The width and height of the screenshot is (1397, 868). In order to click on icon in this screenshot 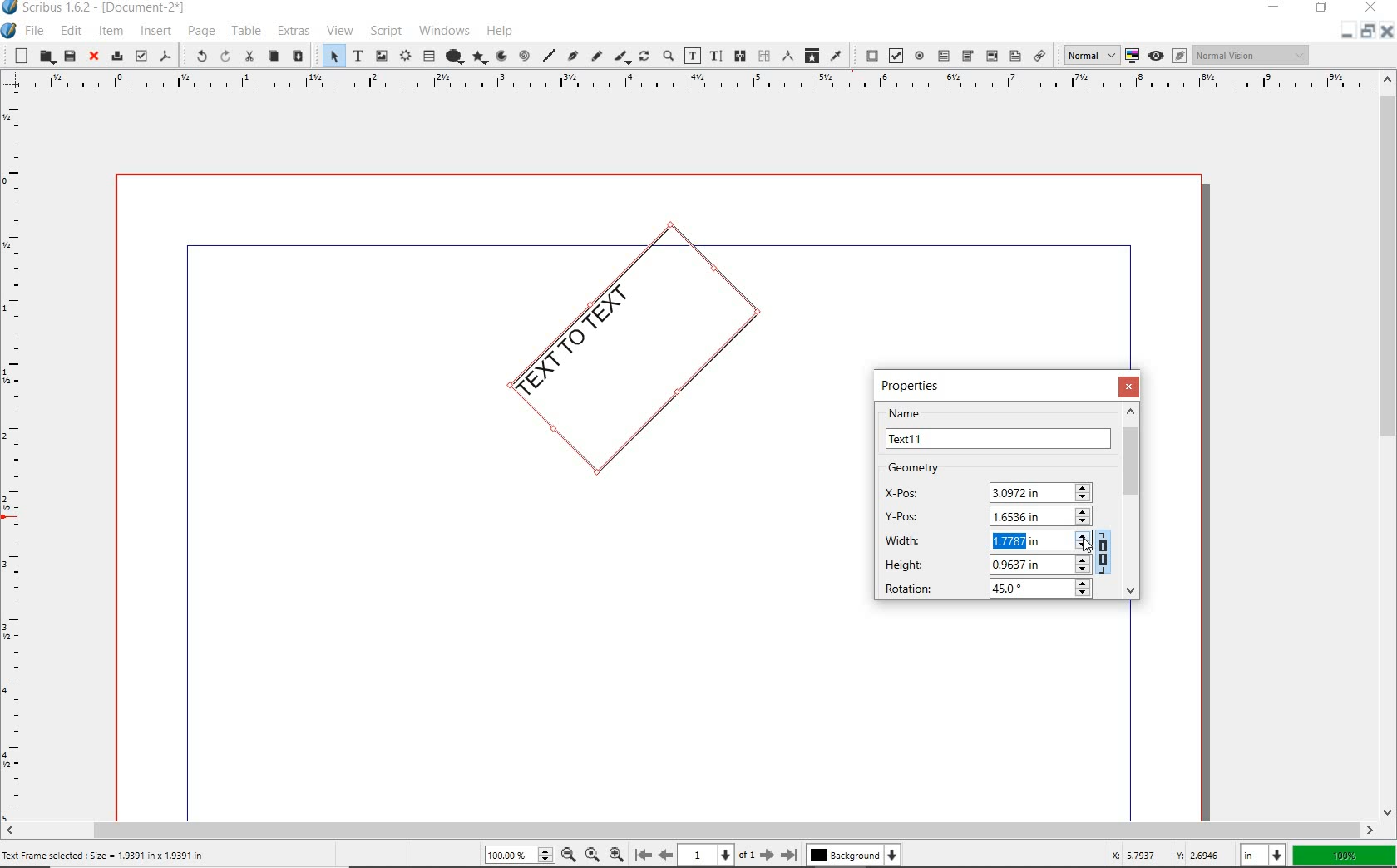, I will do `click(9, 7)`.